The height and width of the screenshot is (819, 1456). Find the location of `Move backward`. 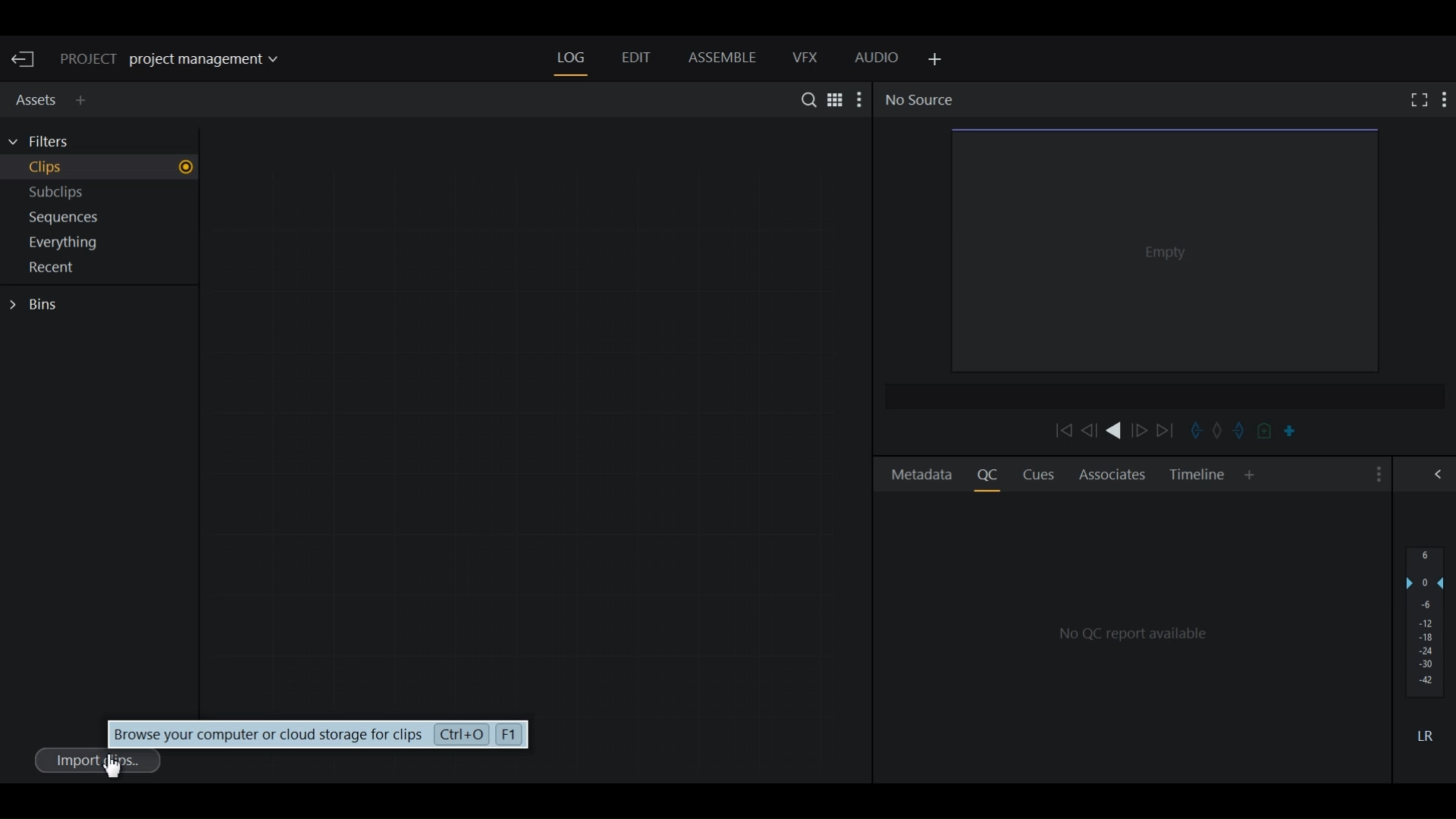

Move backward is located at coordinates (1062, 430).